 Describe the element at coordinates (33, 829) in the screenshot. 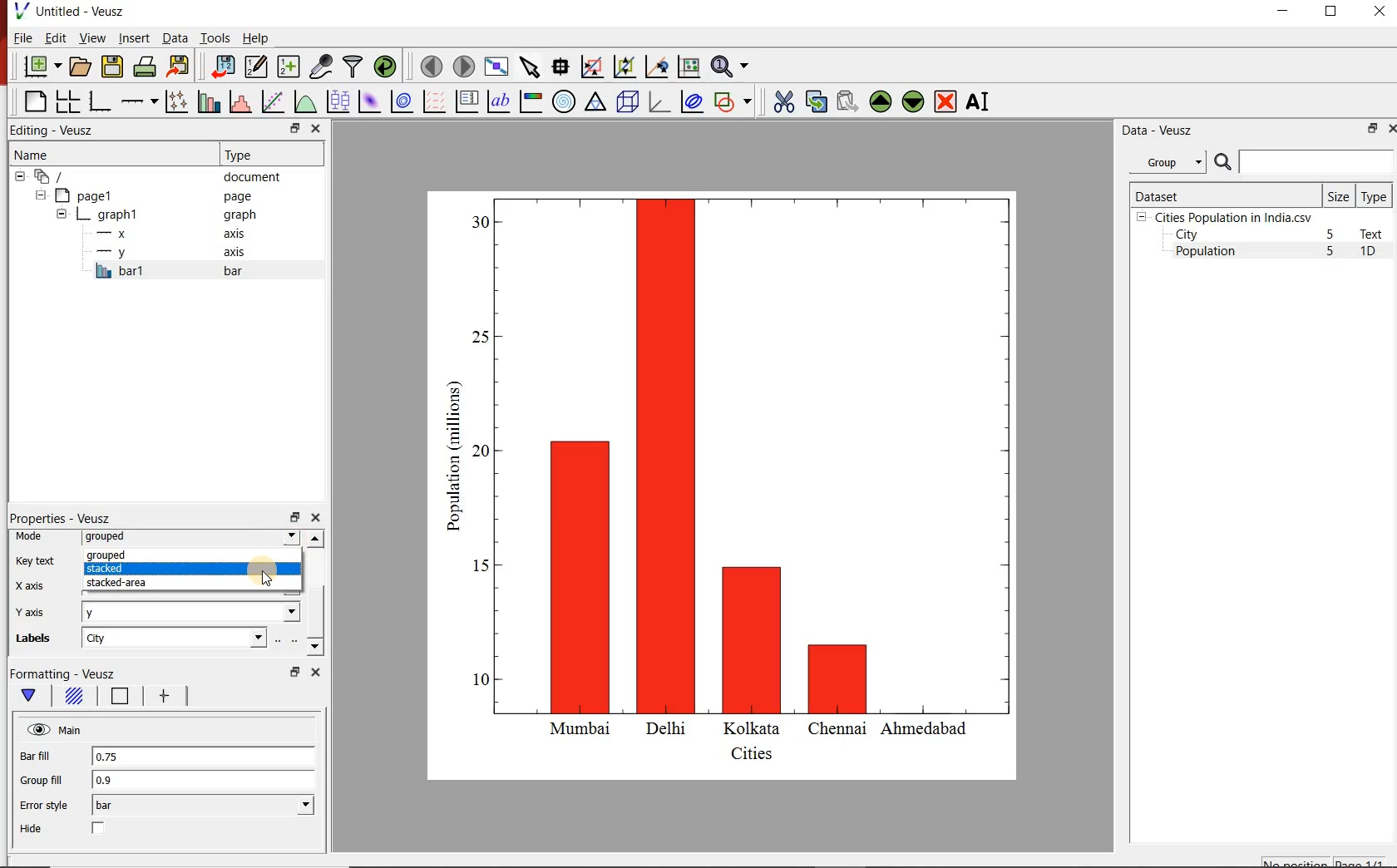

I see `Hide` at that location.